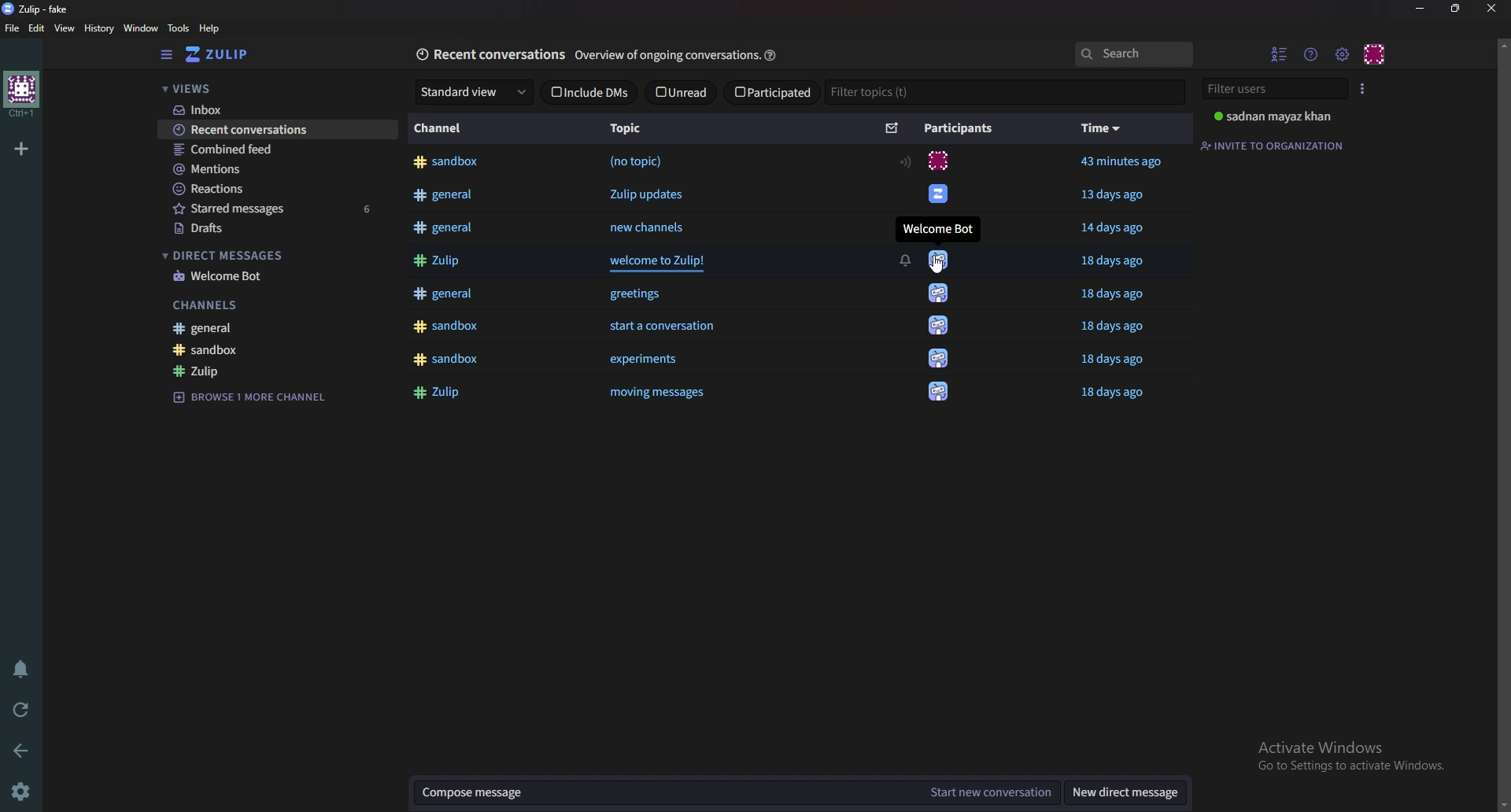  What do you see at coordinates (68, 28) in the screenshot?
I see `view` at bounding box center [68, 28].